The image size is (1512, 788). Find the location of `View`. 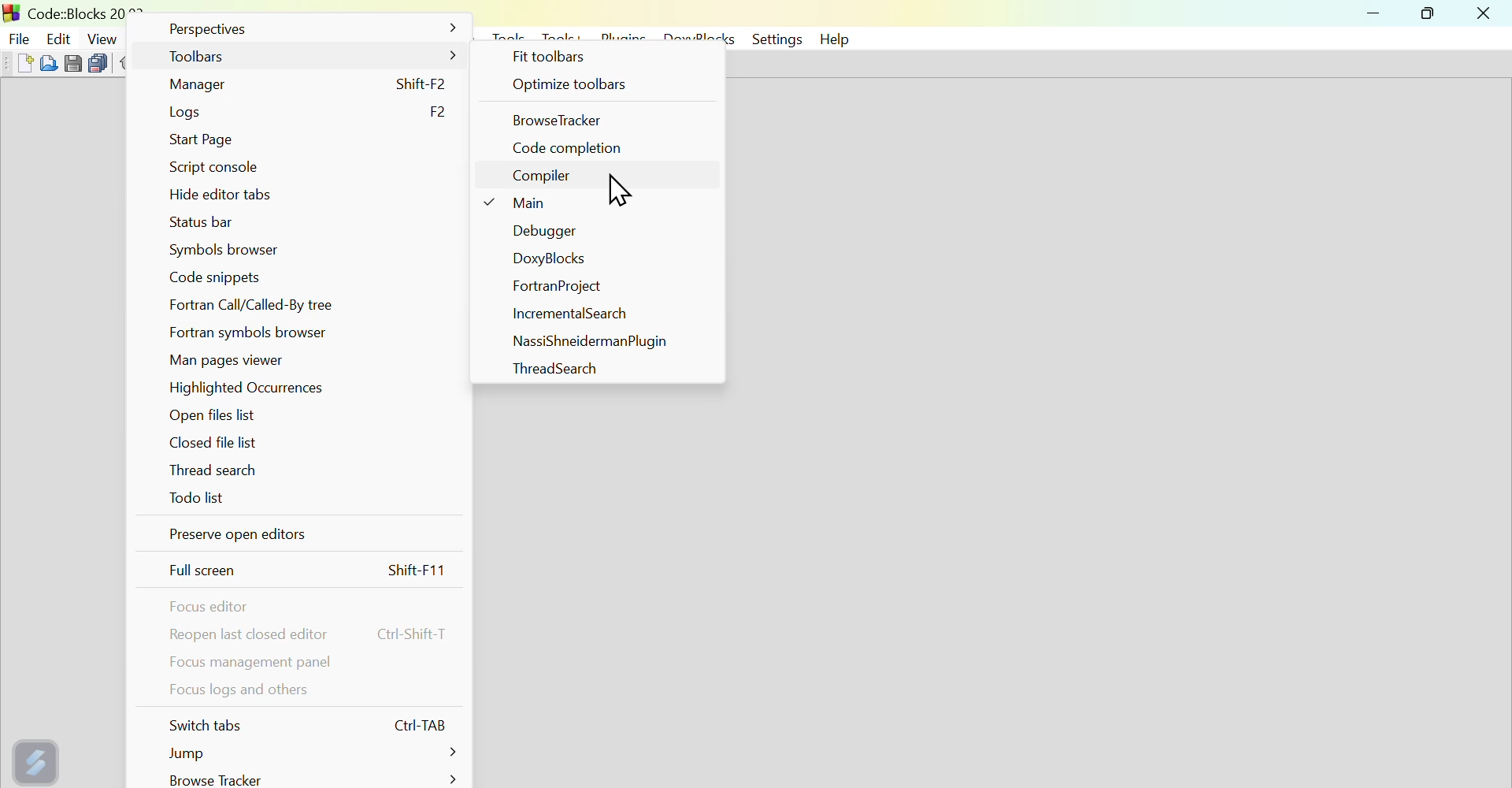

View is located at coordinates (103, 36).